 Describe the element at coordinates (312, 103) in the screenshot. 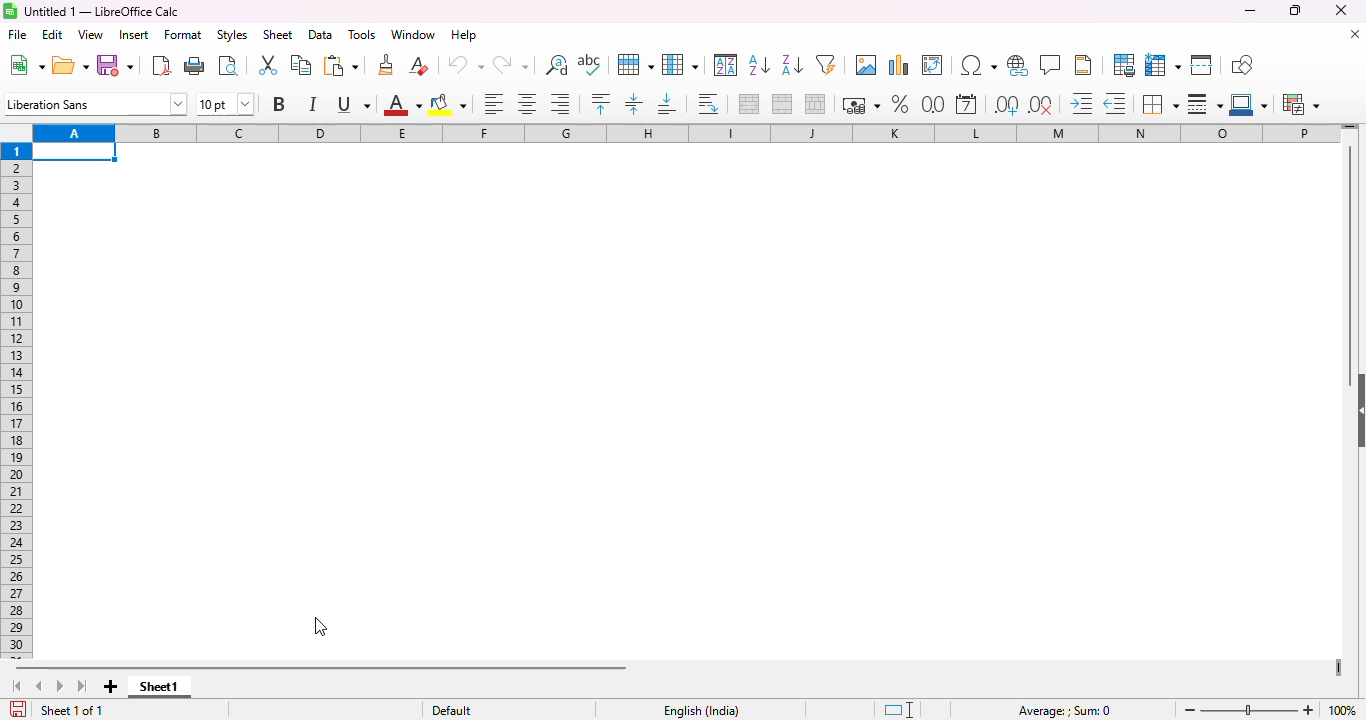

I see `italic` at that location.